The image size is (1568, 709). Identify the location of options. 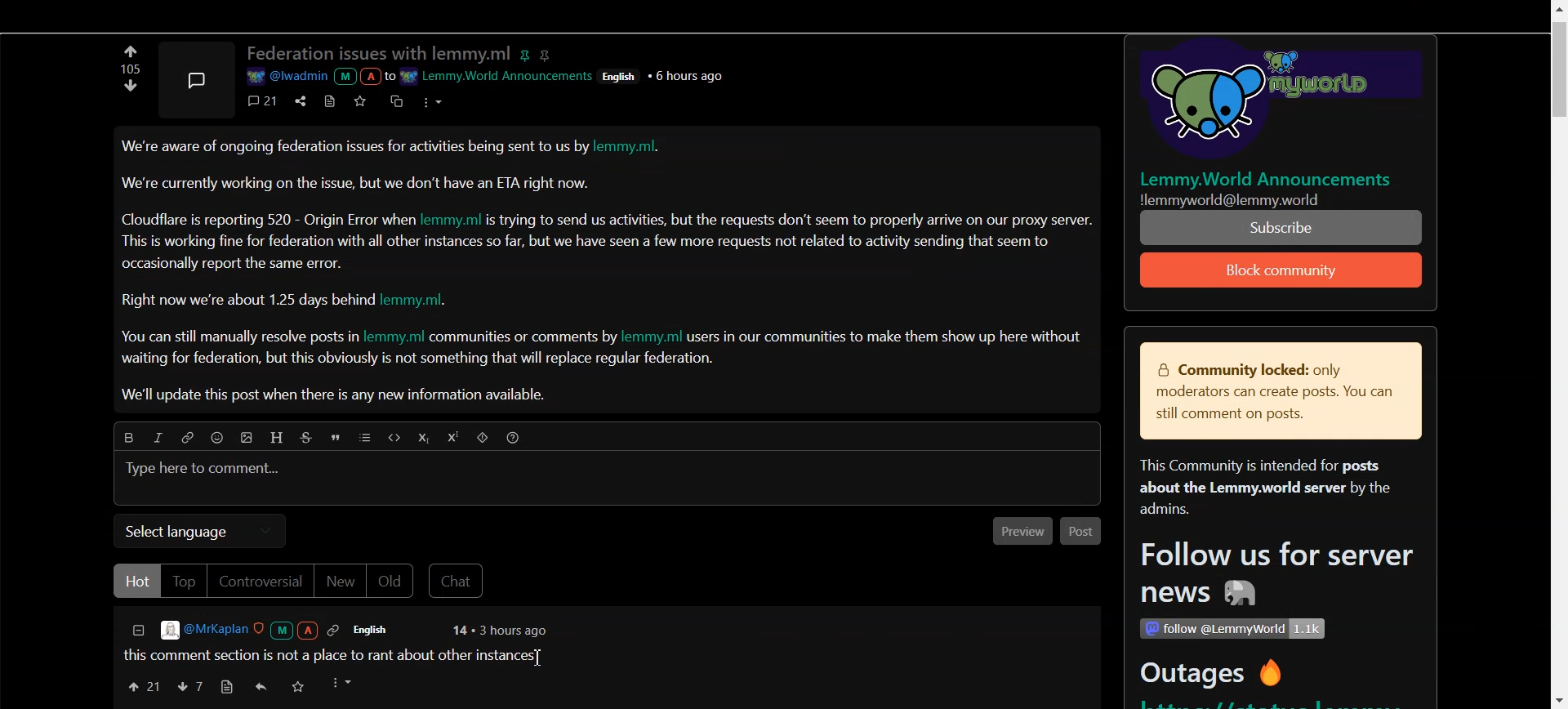
(344, 683).